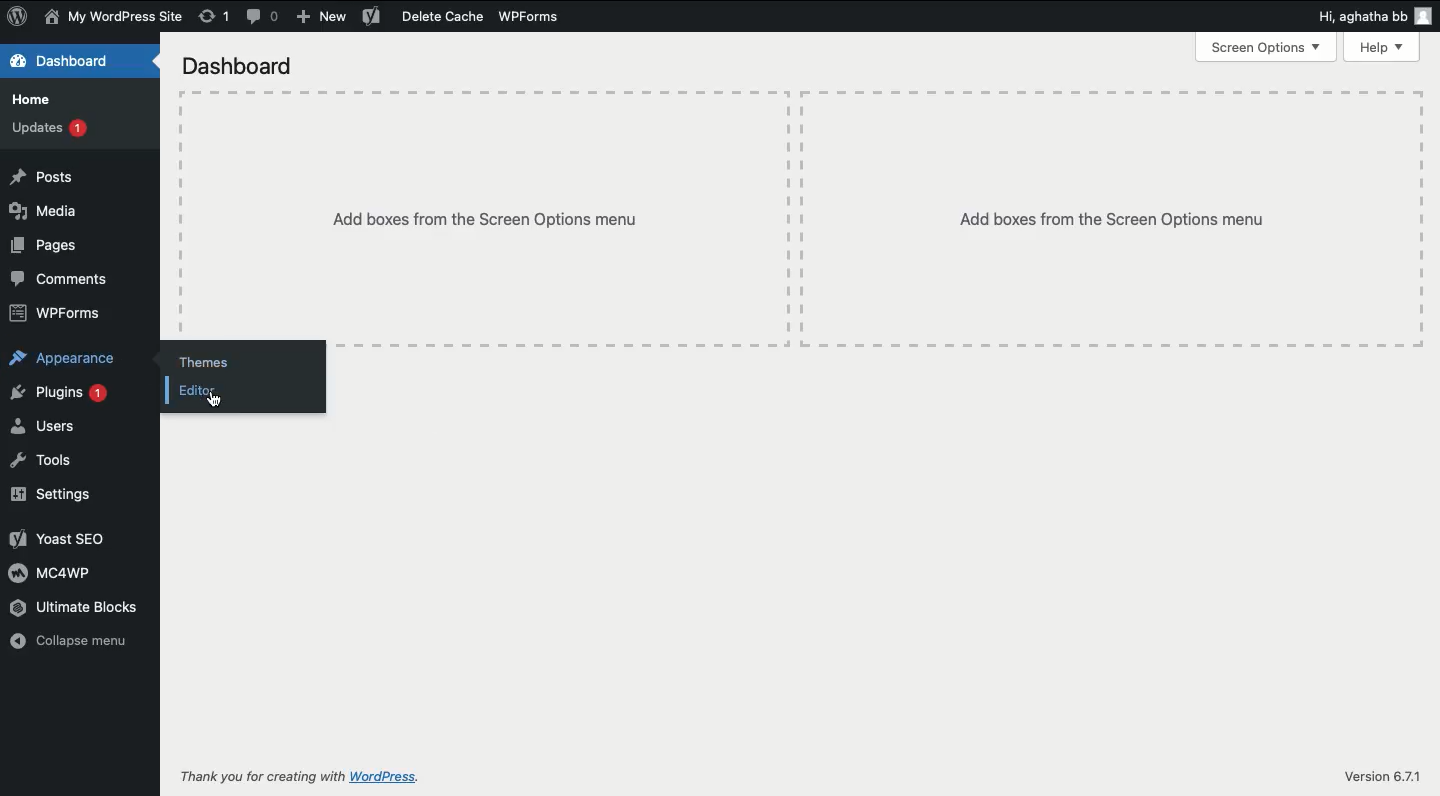  Describe the element at coordinates (536, 14) in the screenshot. I see `WPForms` at that location.